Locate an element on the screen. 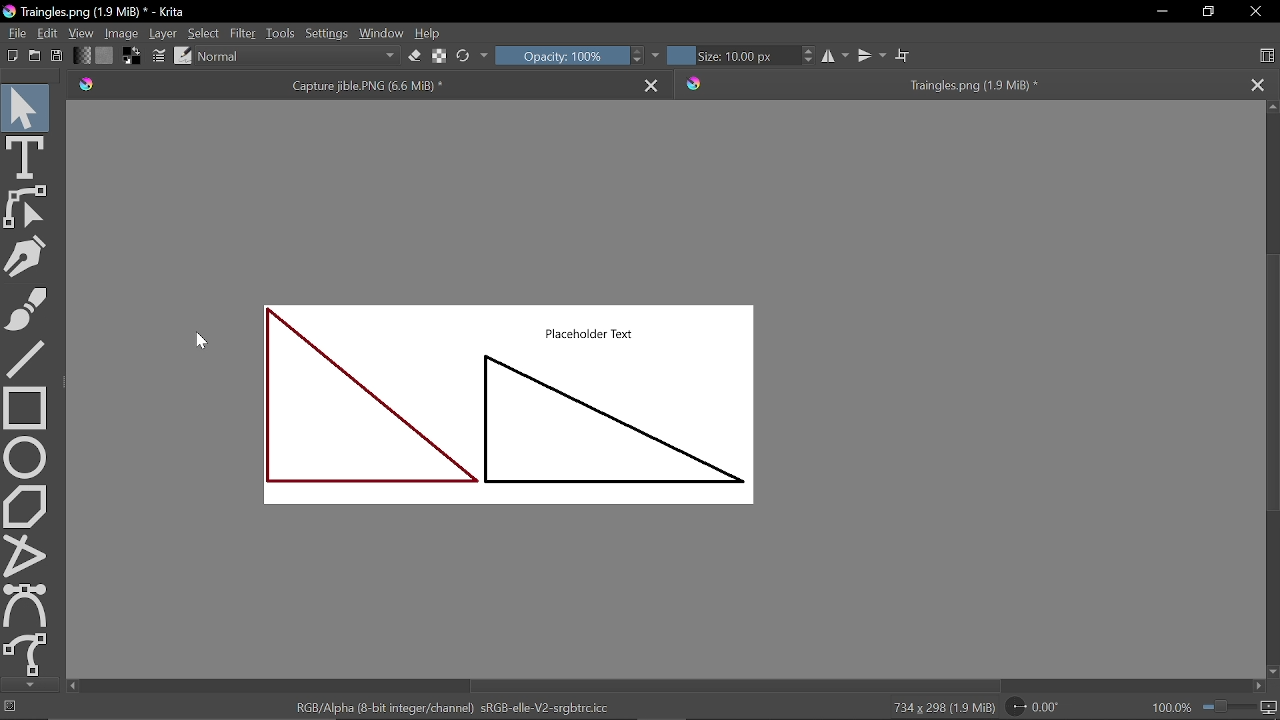 The image size is (1280, 720). Save is located at coordinates (54, 57).